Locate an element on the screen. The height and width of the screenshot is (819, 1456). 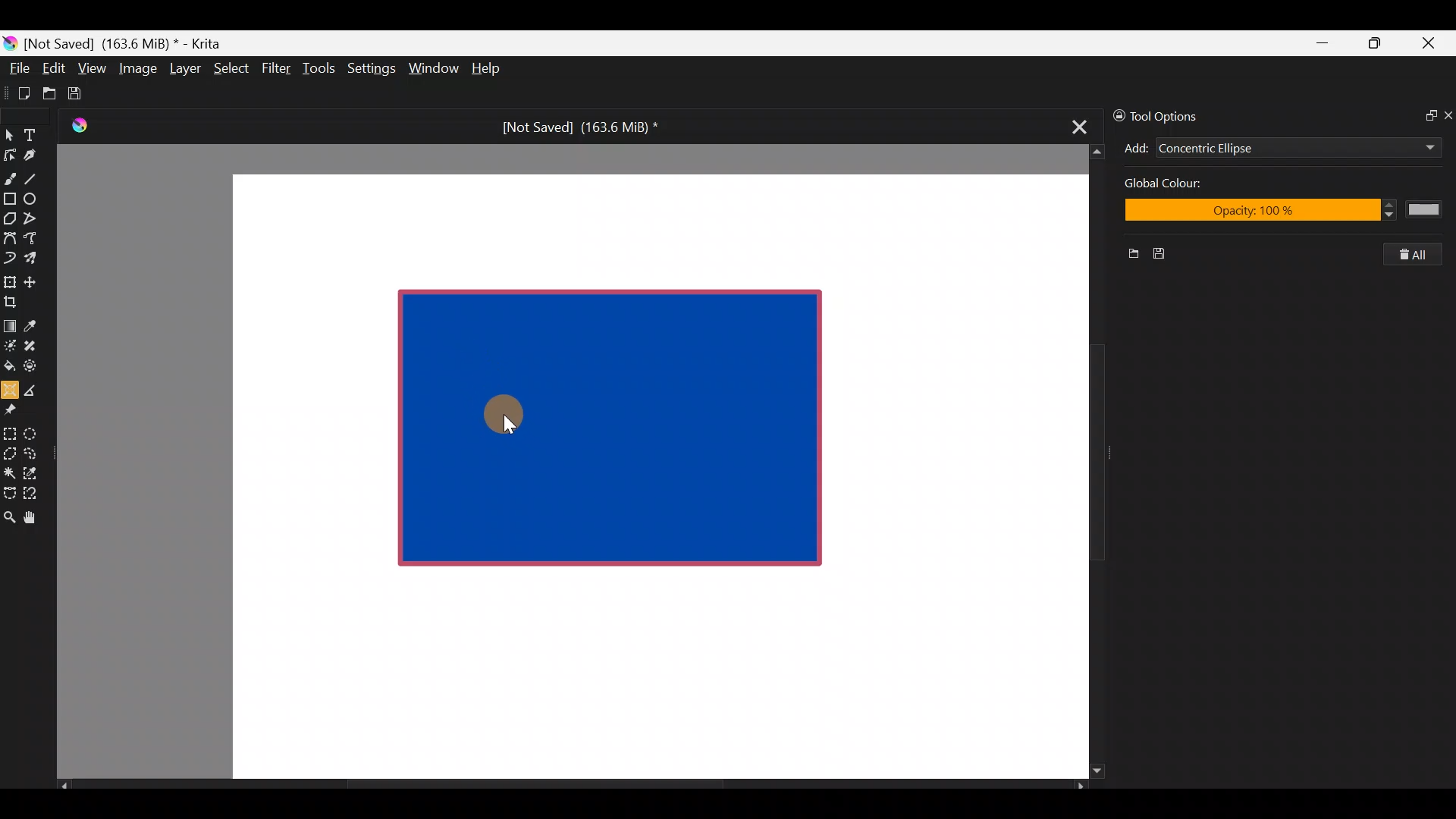
Polyline tool is located at coordinates (36, 219).